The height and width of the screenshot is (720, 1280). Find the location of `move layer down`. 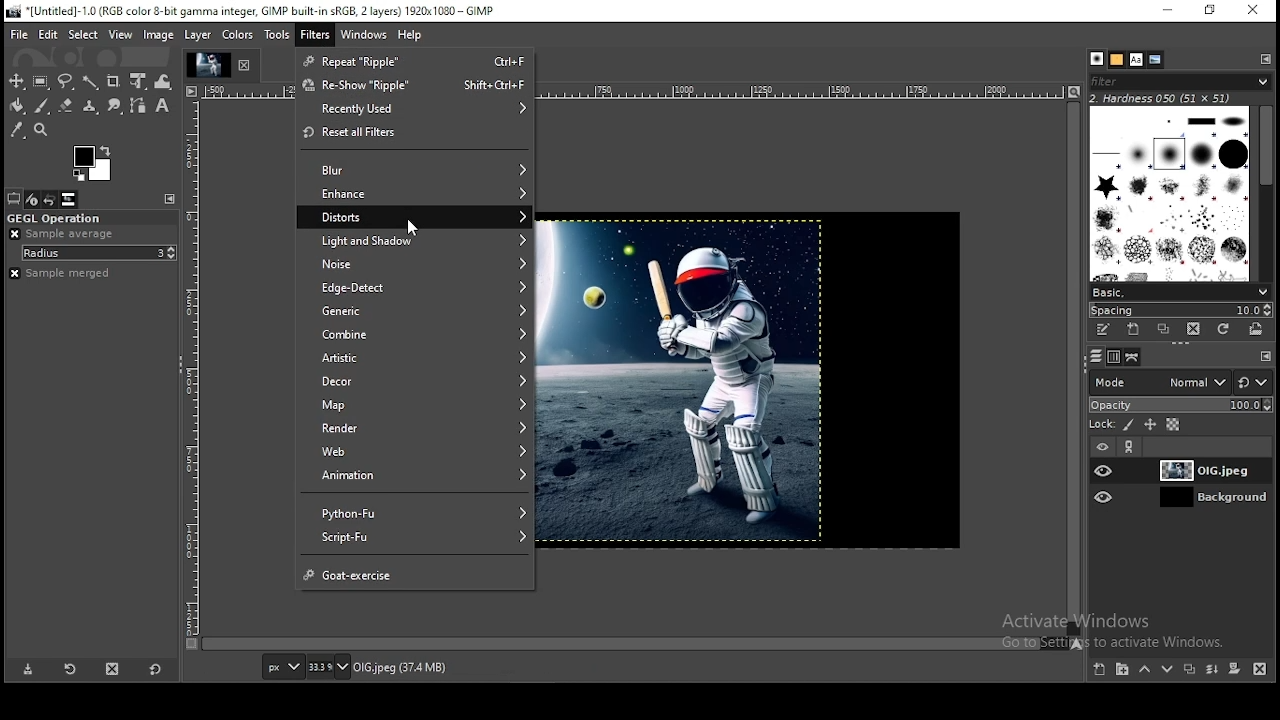

move layer down is located at coordinates (1168, 672).